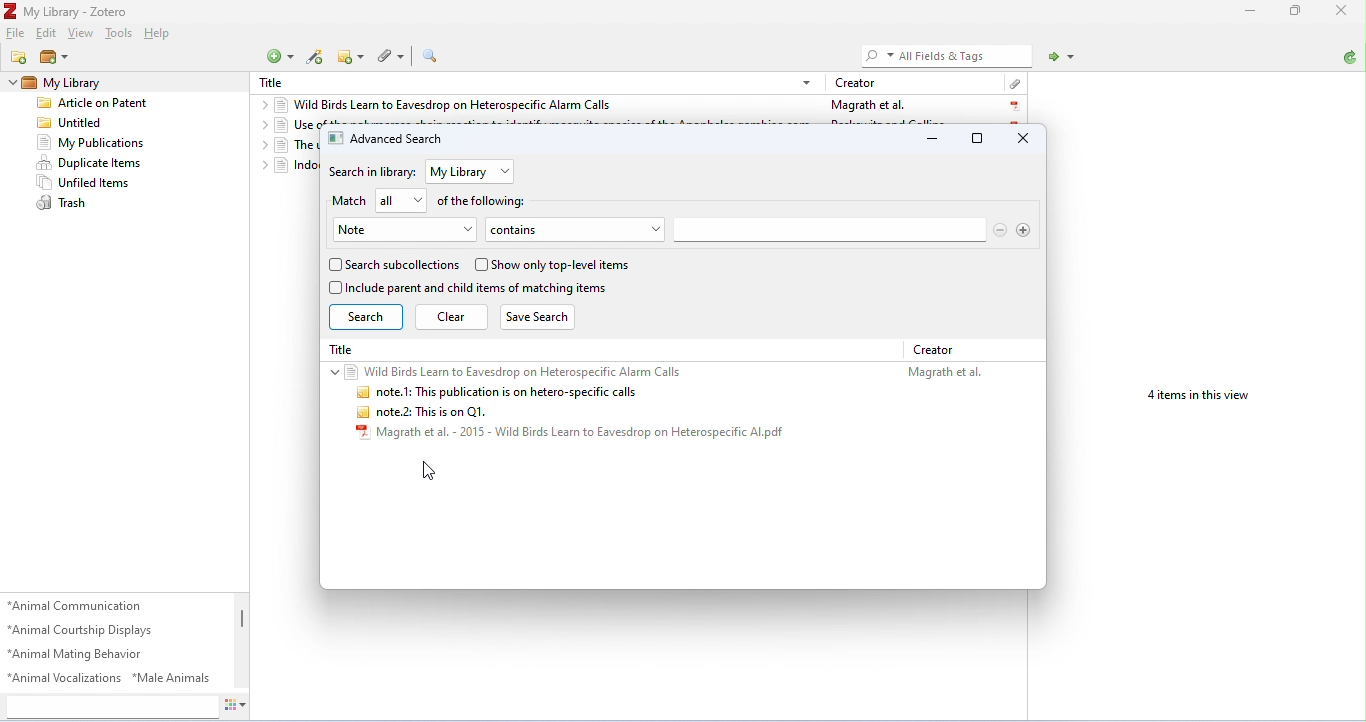  What do you see at coordinates (351, 56) in the screenshot?
I see `new note` at bounding box center [351, 56].